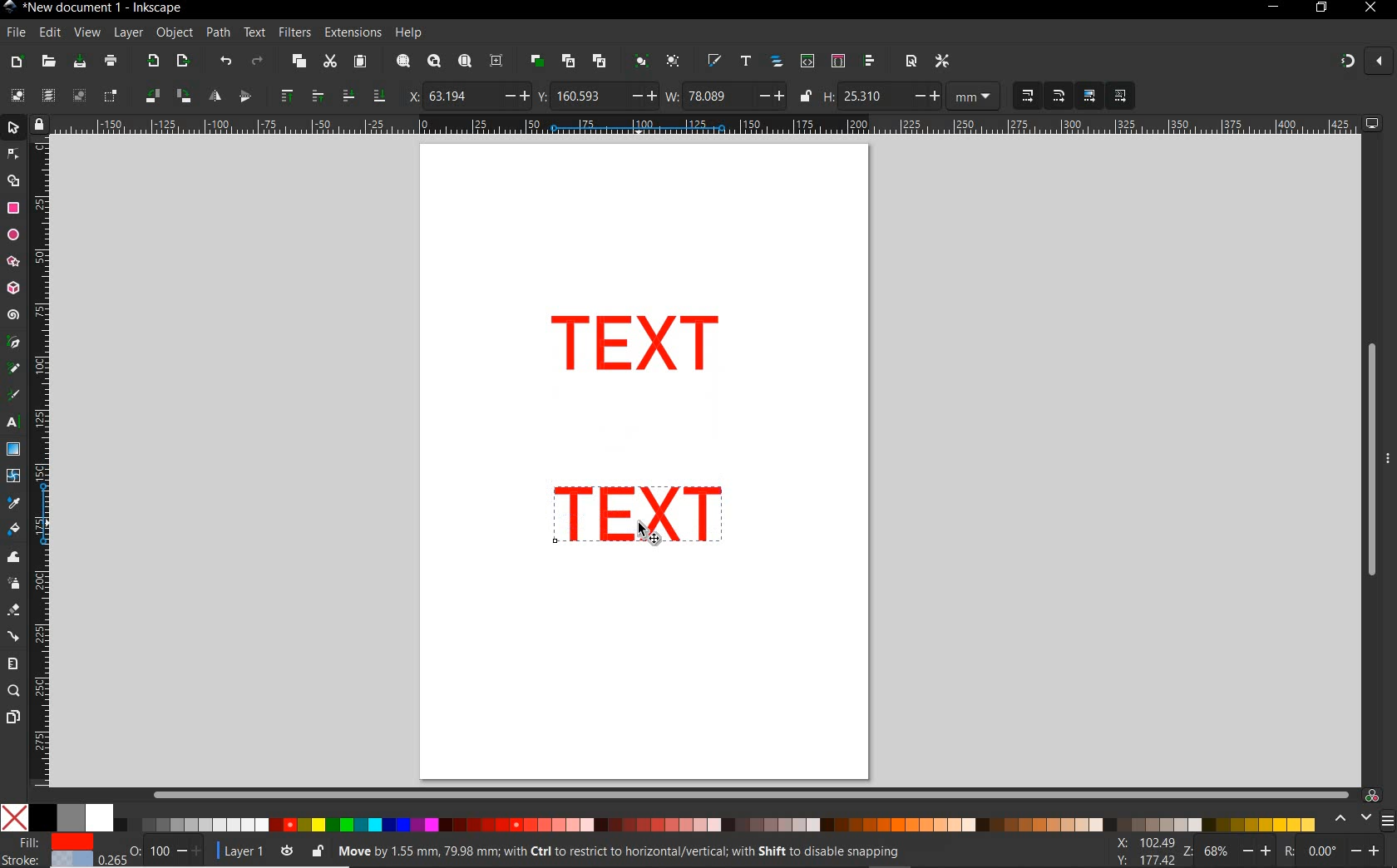 Image resolution: width=1397 pixels, height=868 pixels. What do you see at coordinates (236, 849) in the screenshot?
I see `current layer` at bounding box center [236, 849].